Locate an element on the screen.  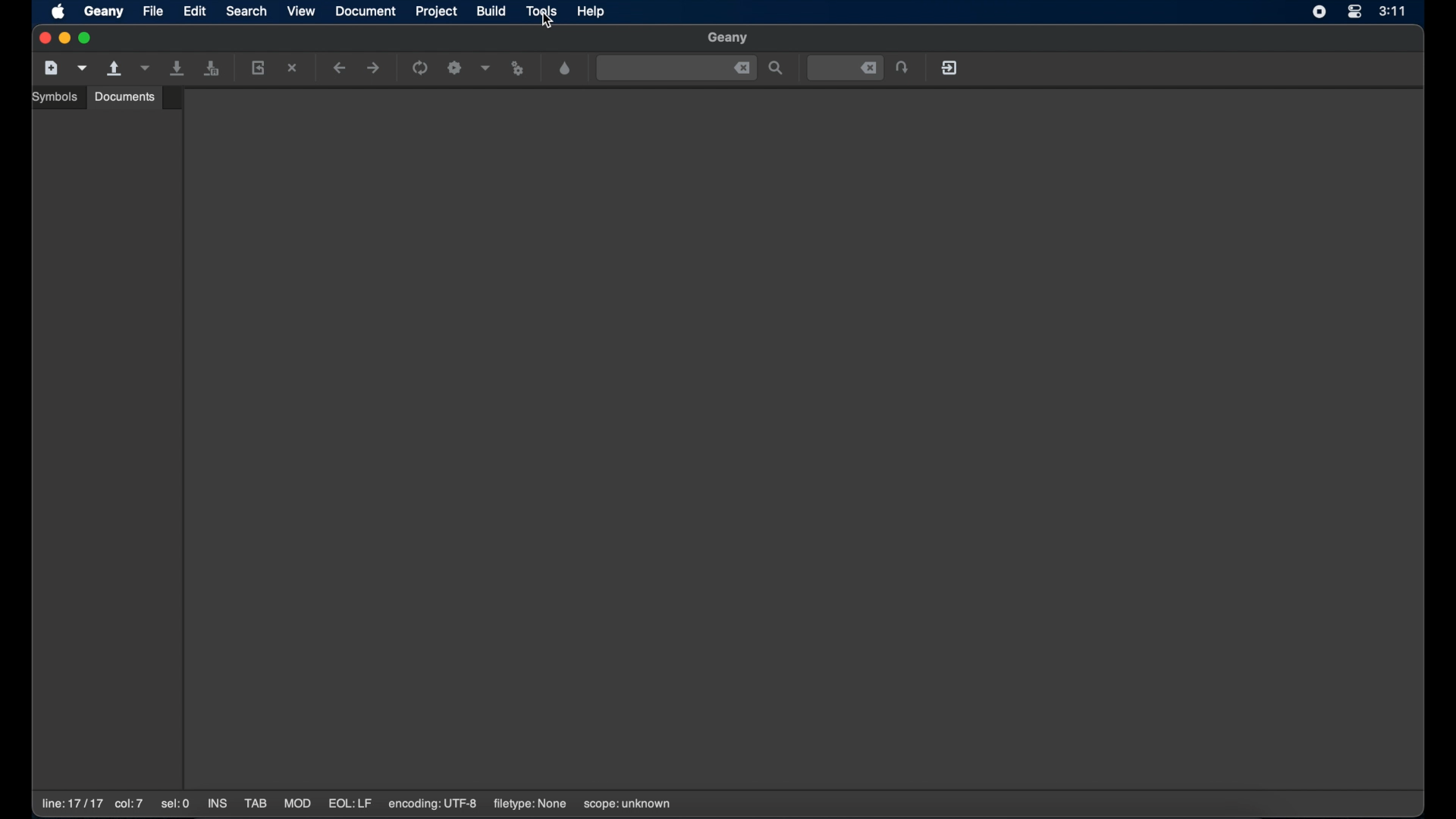
control center is located at coordinates (1354, 13).